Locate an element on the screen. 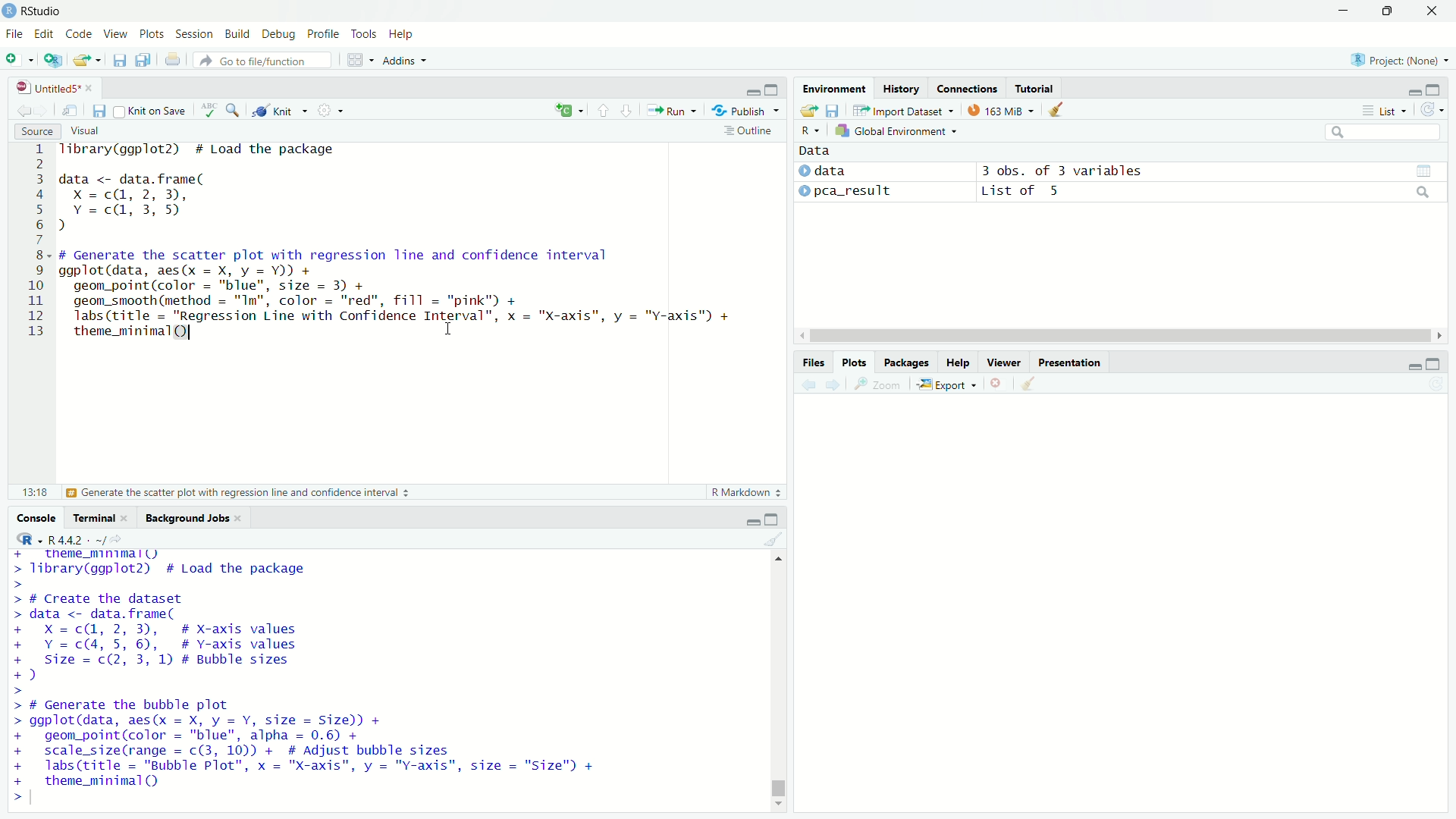  File is located at coordinates (14, 34).